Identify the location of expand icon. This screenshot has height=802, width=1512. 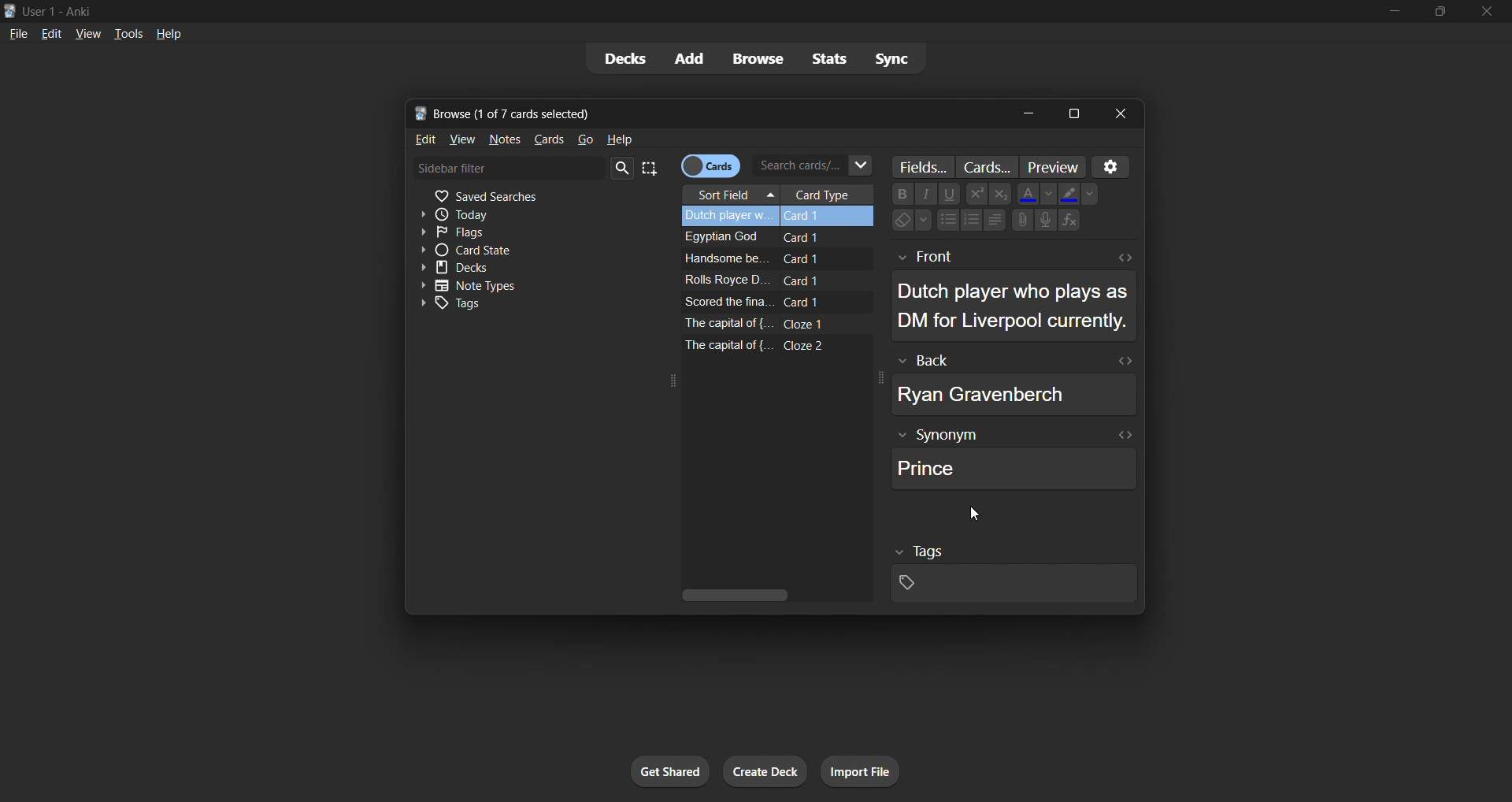
(669, 381).